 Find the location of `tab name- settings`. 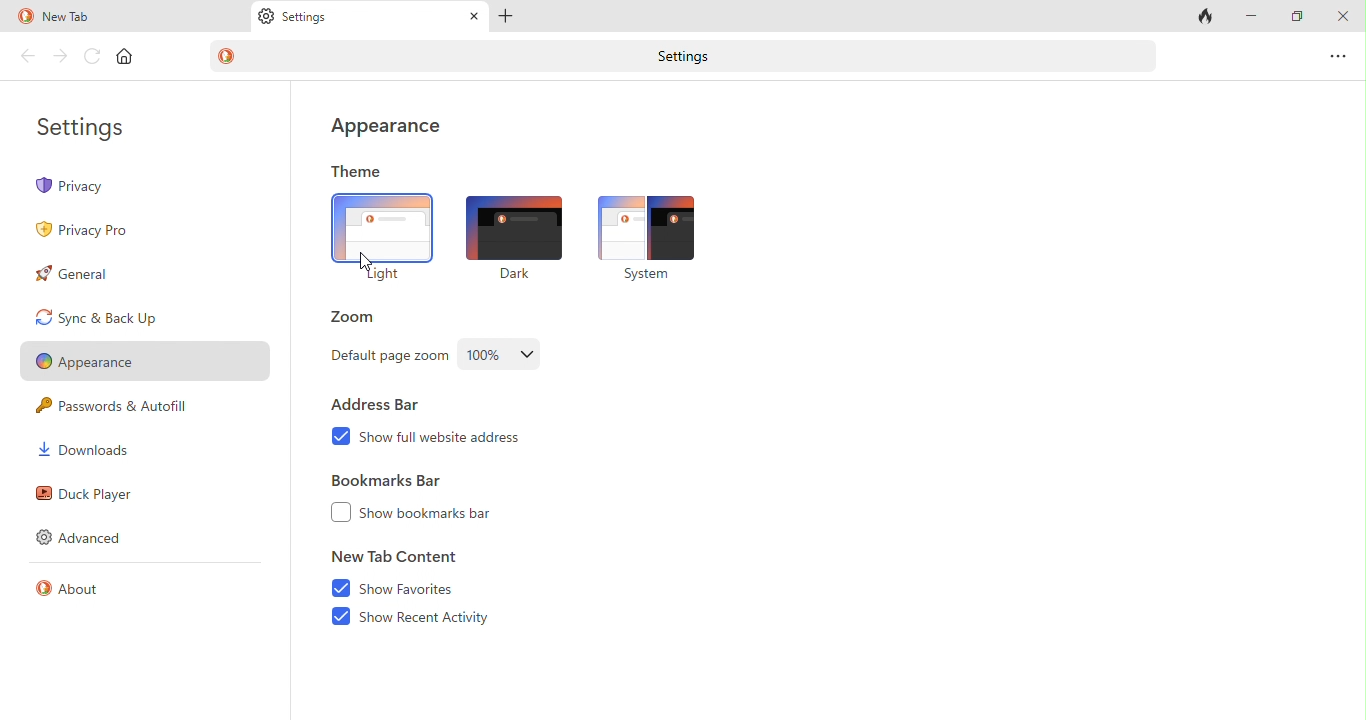

tab name- settings is located at coordinates (311, 16).